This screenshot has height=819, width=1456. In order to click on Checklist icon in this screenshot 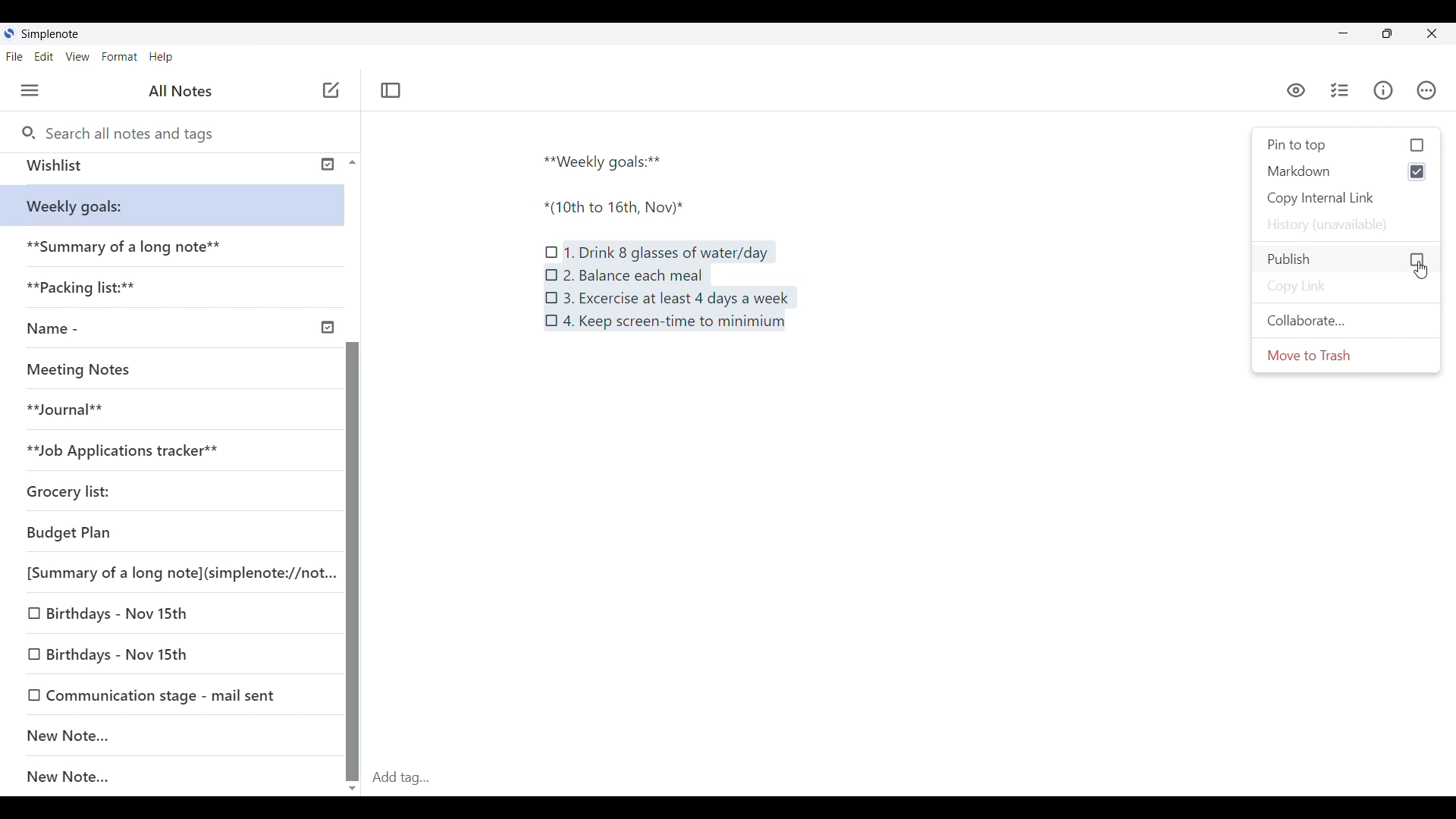, I will do `click(552, 247)`.